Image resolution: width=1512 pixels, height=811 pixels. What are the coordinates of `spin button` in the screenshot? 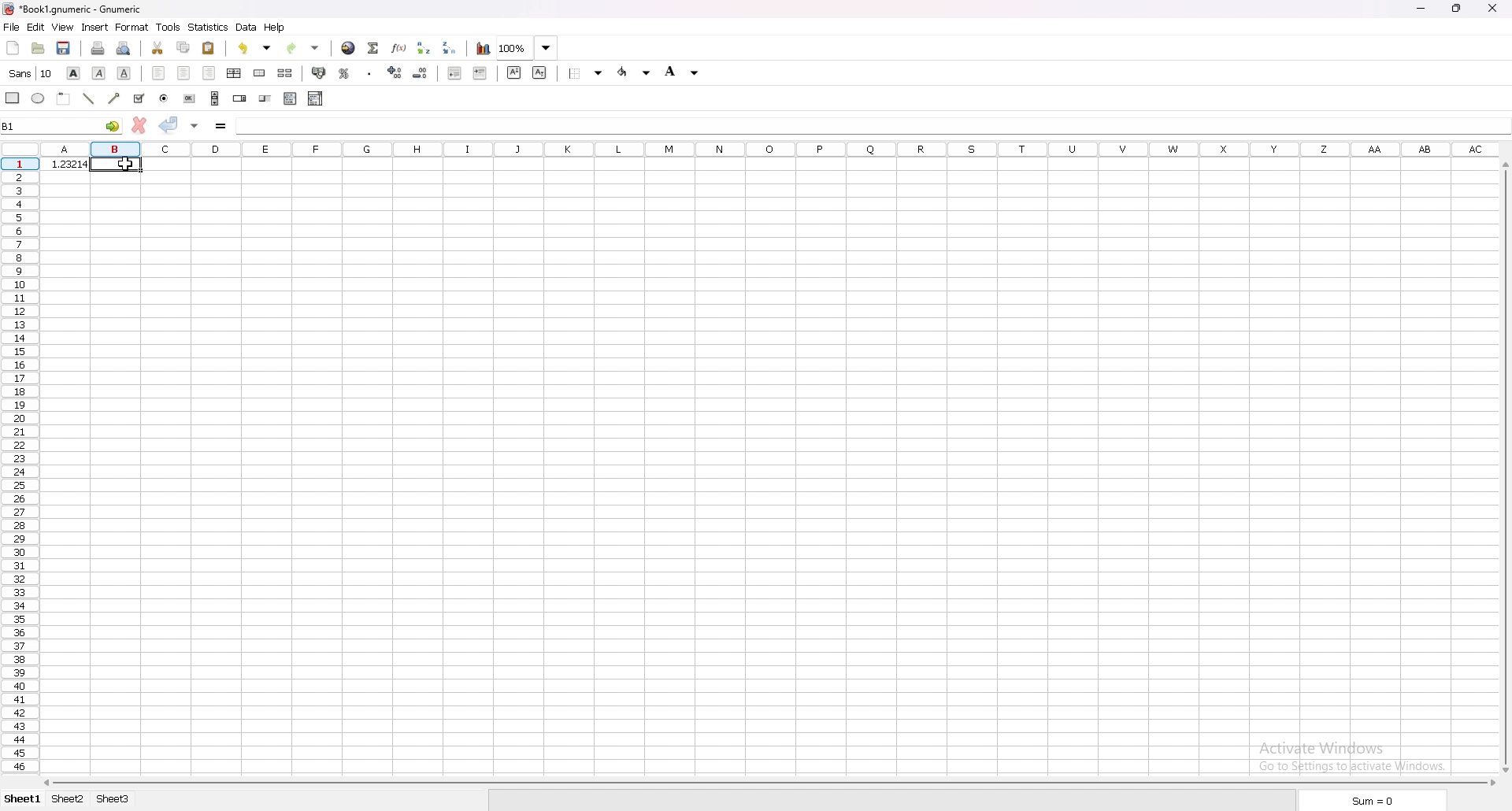 It's located at (239, 99).